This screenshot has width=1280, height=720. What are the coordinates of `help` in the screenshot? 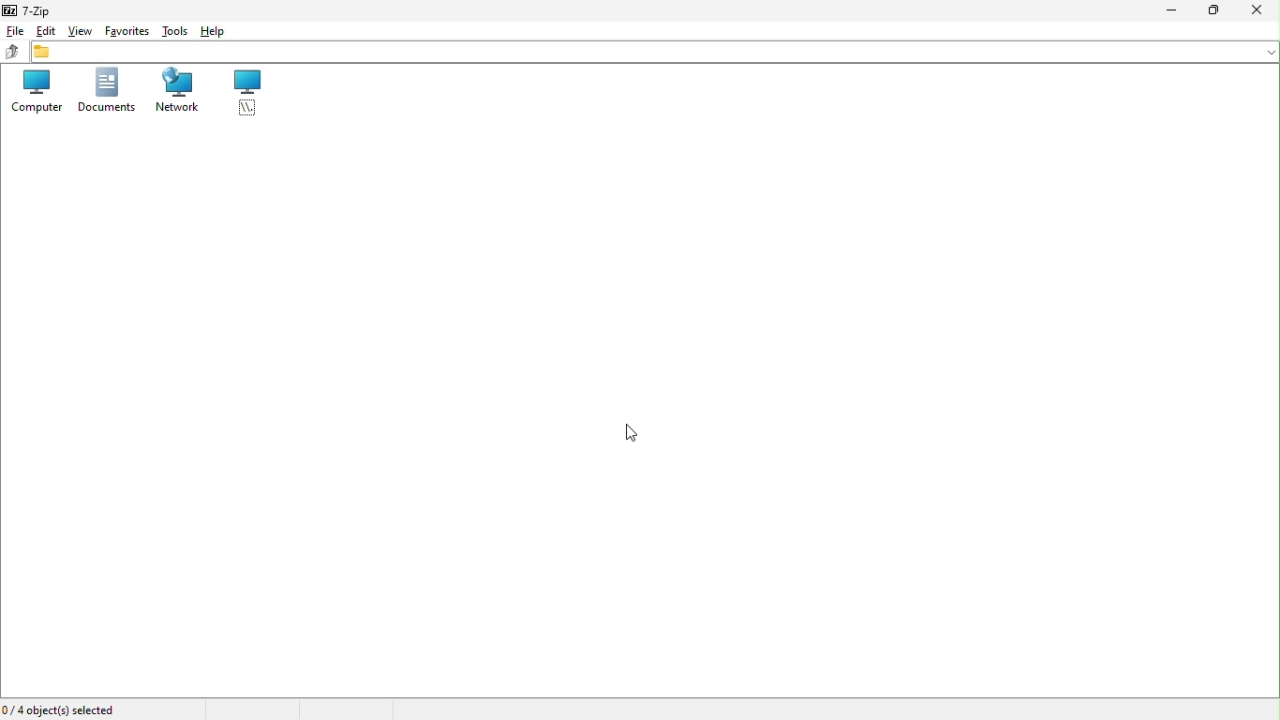 It's located at (215, 30).